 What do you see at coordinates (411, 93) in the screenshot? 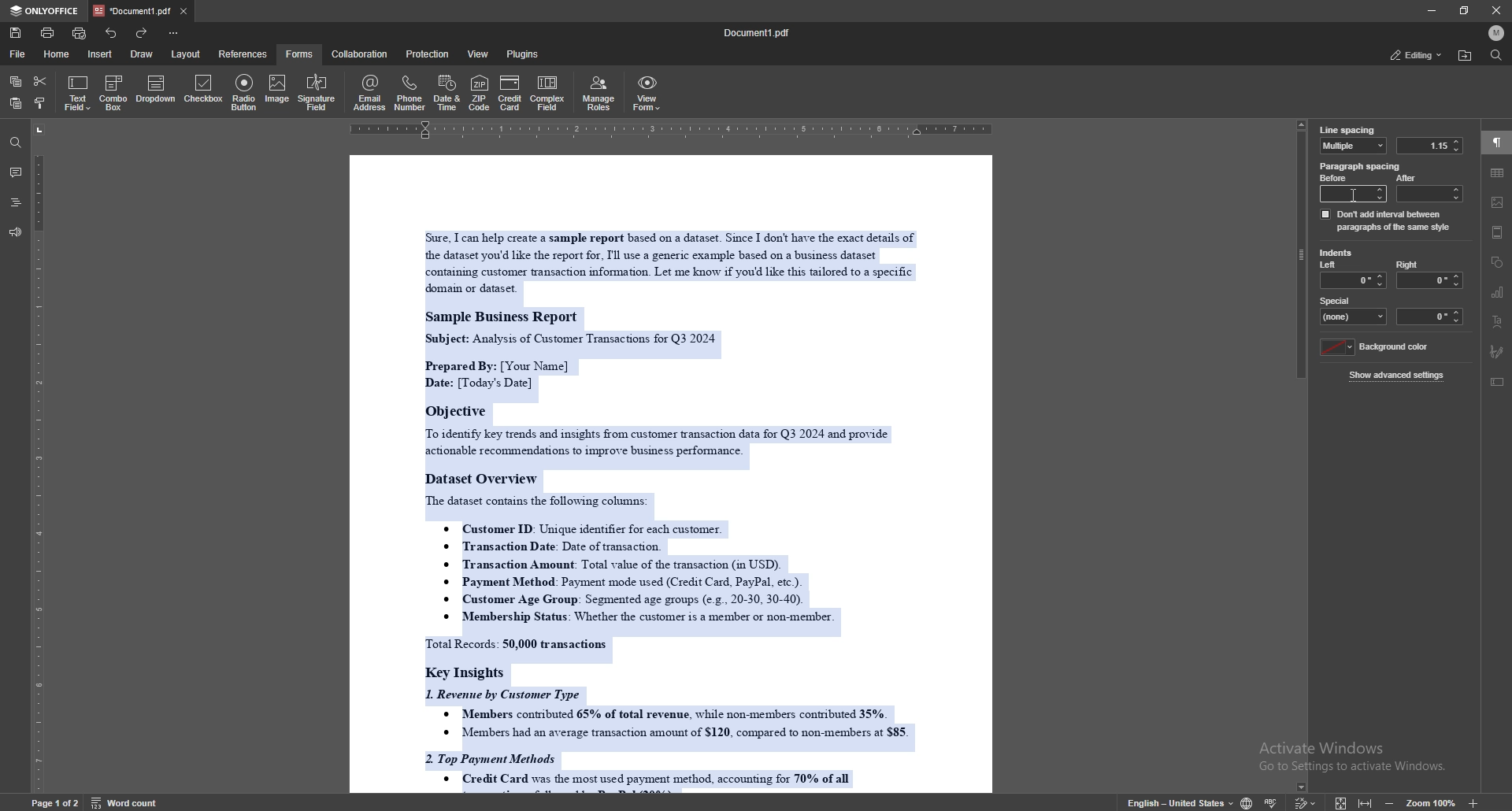
I see `phone number` at bounding box center [411, 93].